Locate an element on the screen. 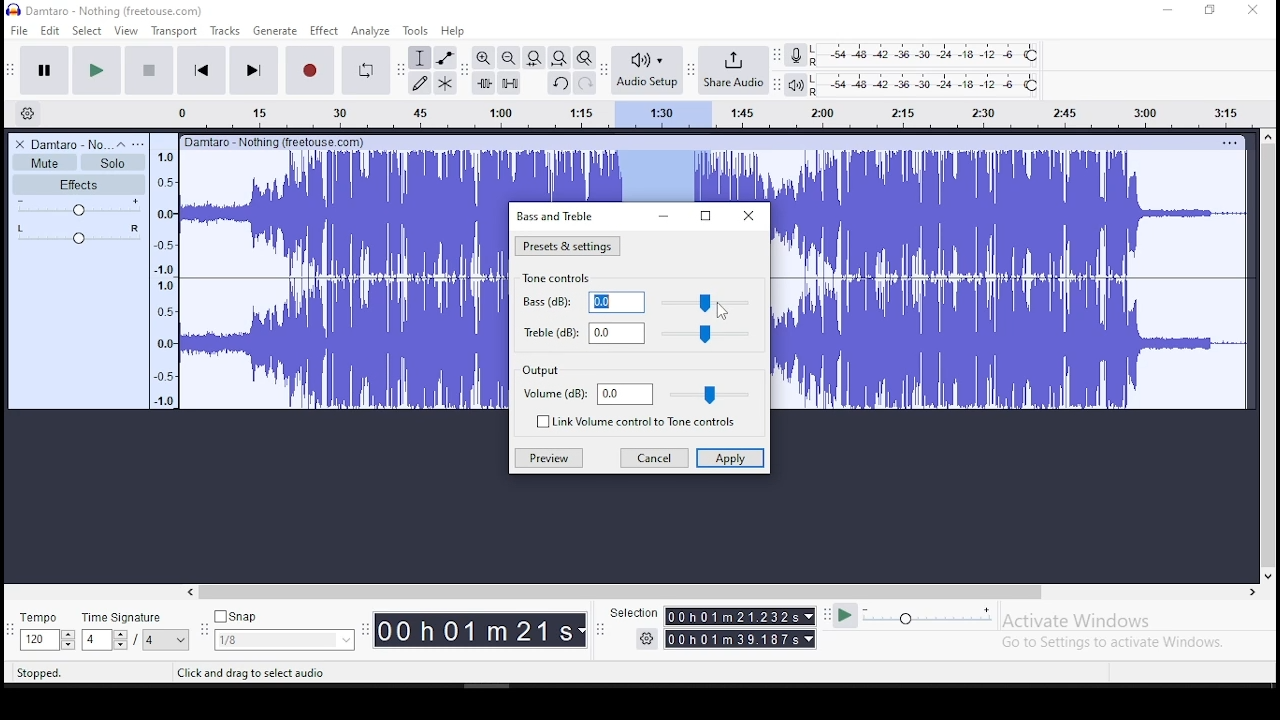  minimize is located at coordinates (662, 217).